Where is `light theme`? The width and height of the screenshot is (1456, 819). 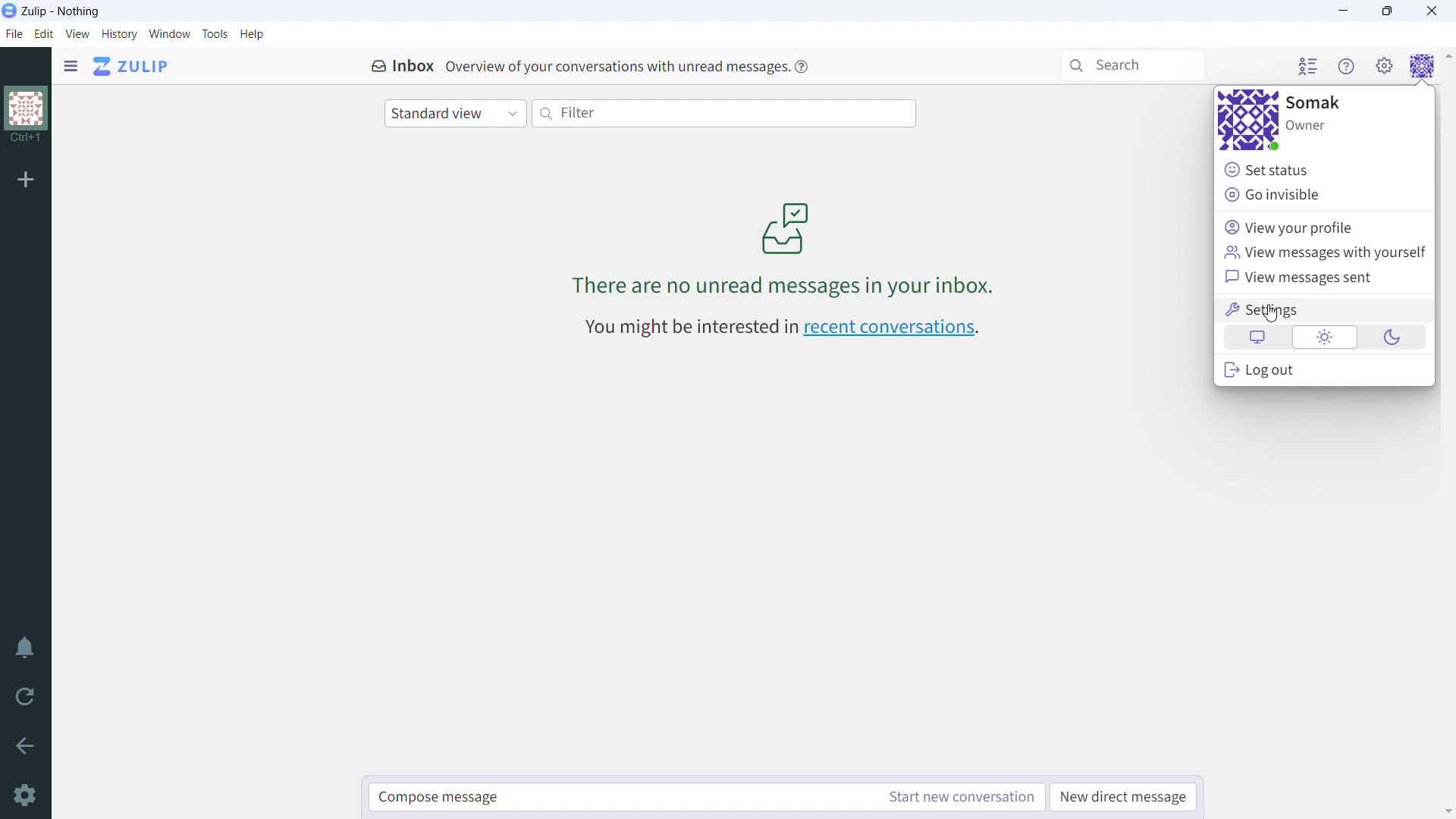
light theme is located at coordinates (1323, 337).